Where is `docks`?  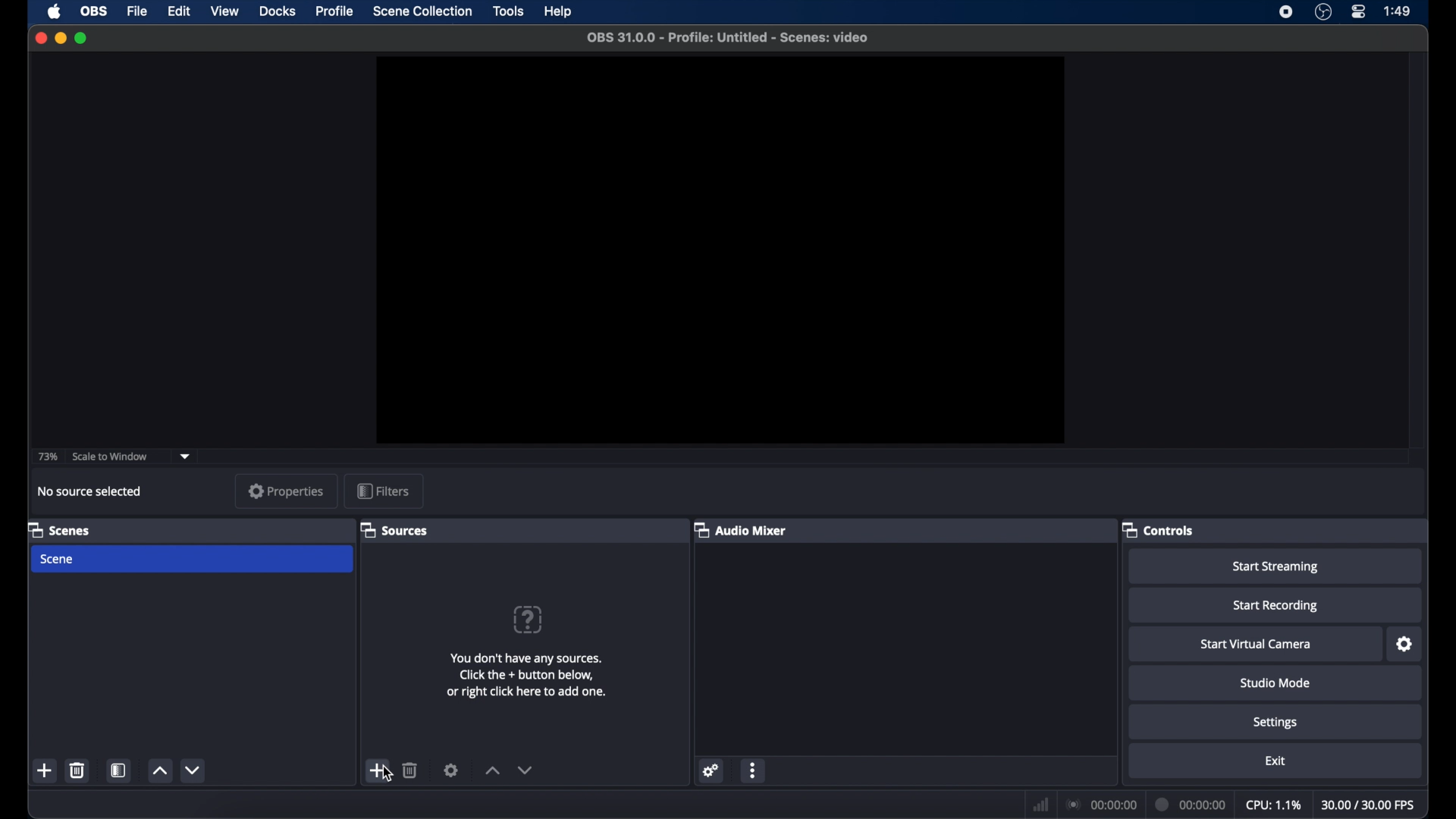 docks is located at coordinates (278, 10).